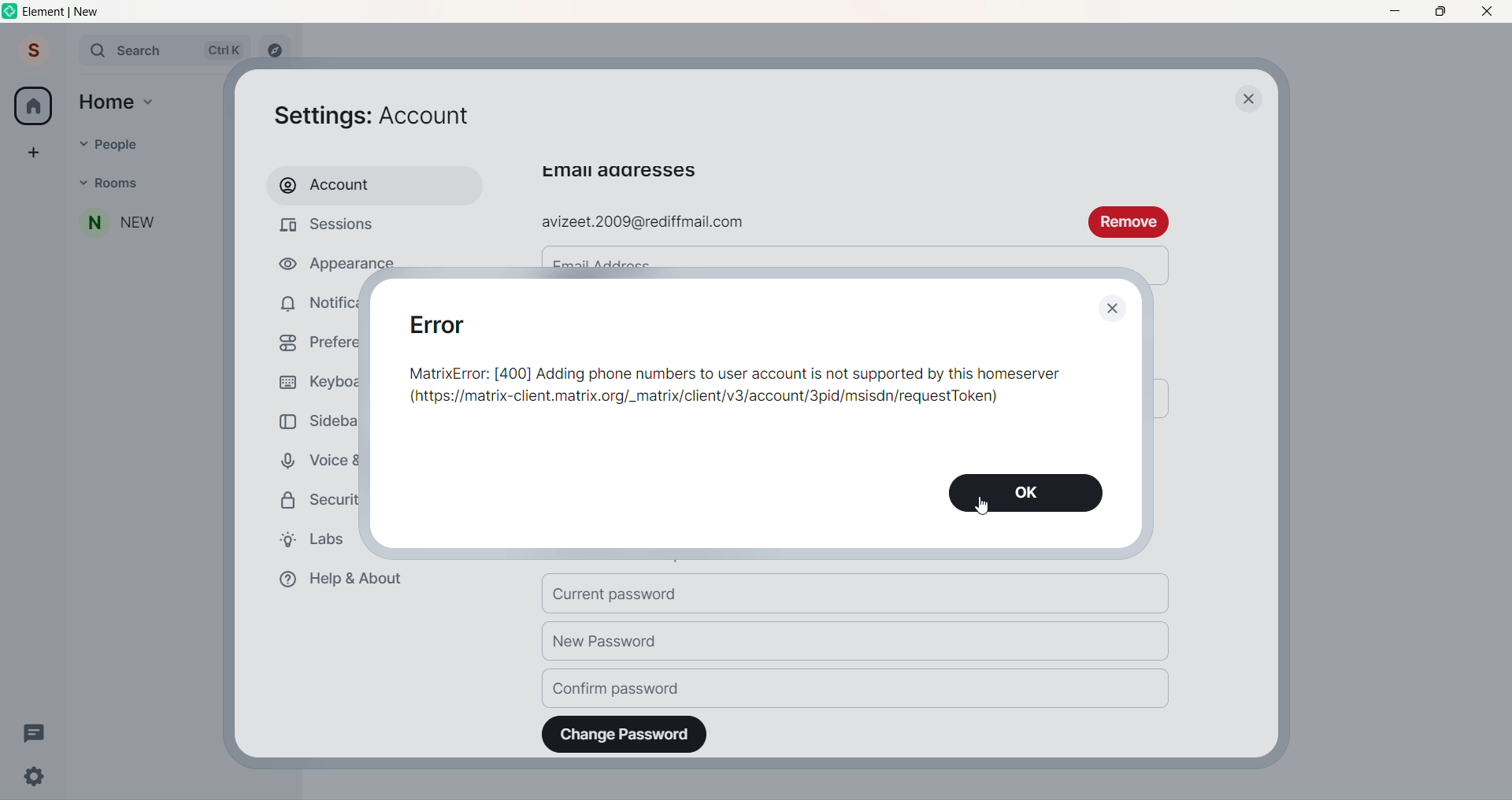  What do you see at coordinates (625, 734) in the screenshot?
I see `Change Password` at bounding box center [625, 734].